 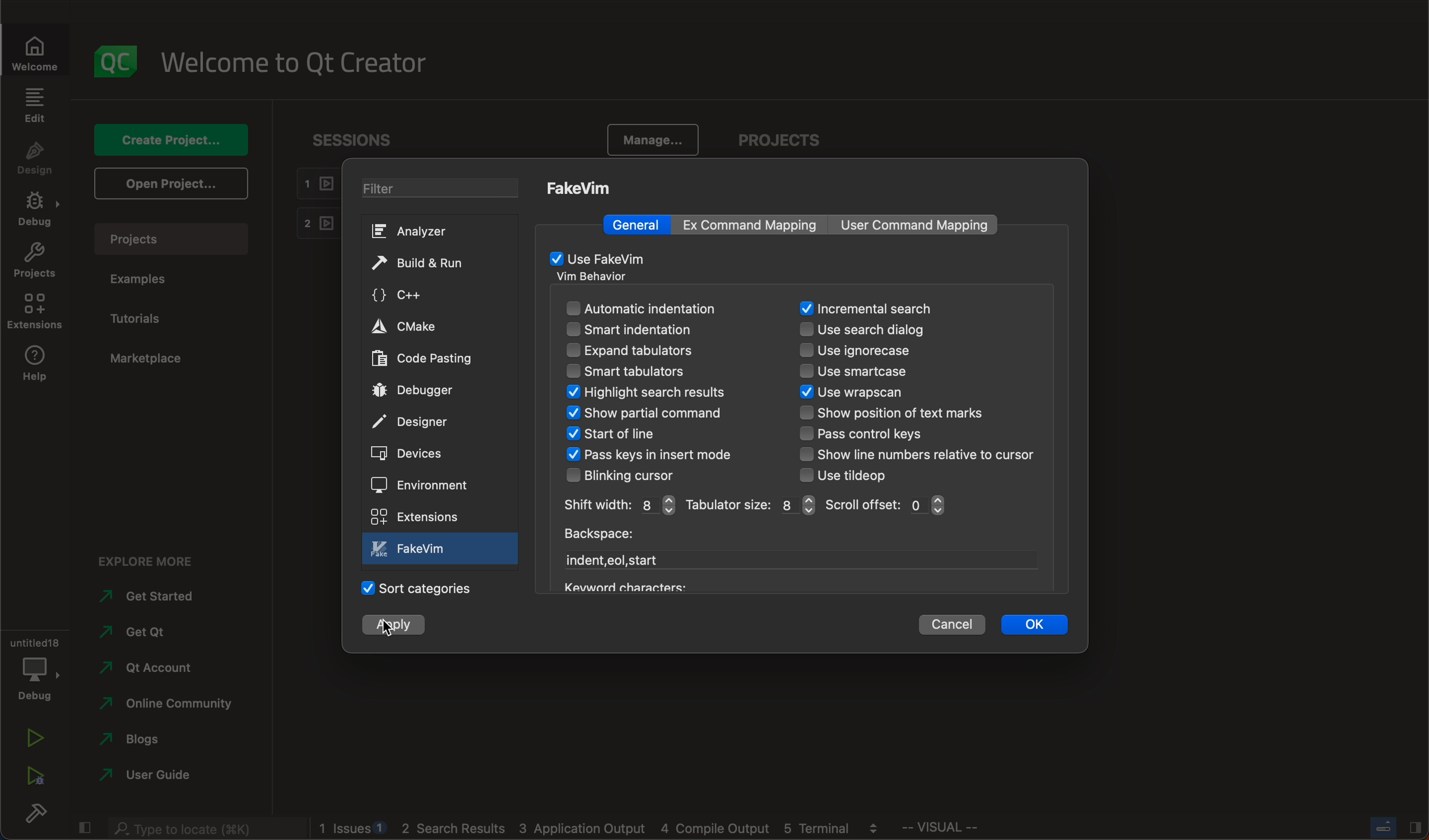 What do you see at coordinates (442, 549) in the screenshot?
I see `fake vim` at bounding box center [442, 549].